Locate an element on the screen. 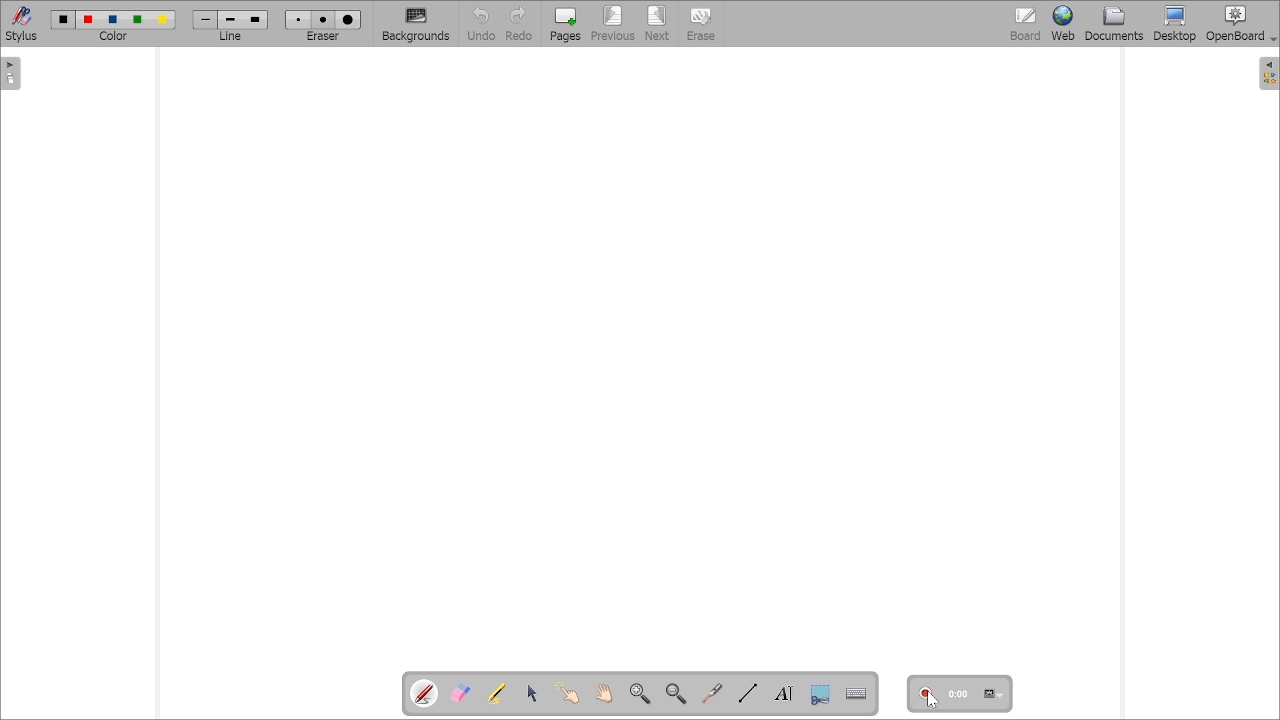 The width and height of the screenshot is (1280, 720).  is located at coordinates (1177, 23).